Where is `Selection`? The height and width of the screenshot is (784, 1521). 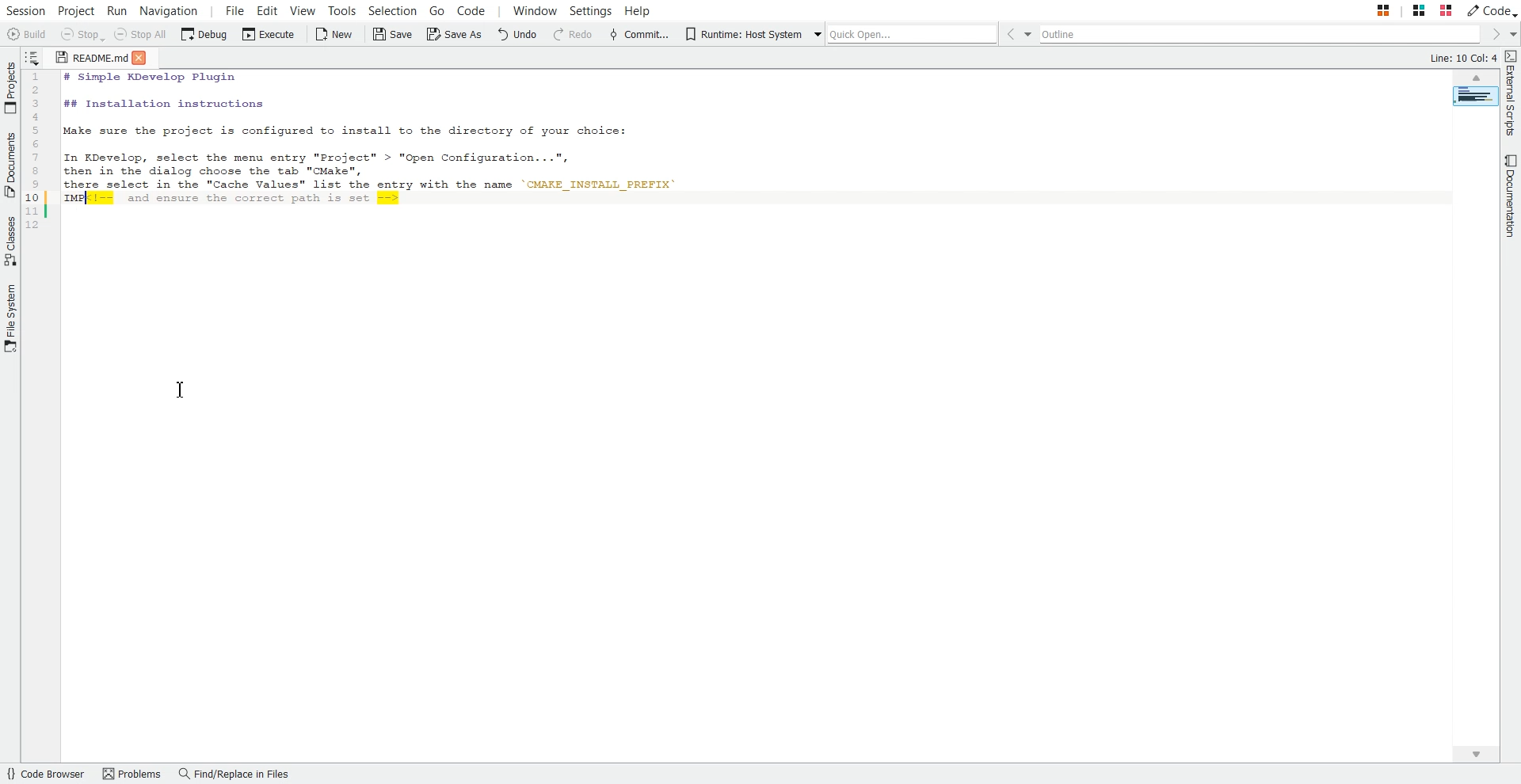 Selection is located at coordinates (394, 10).